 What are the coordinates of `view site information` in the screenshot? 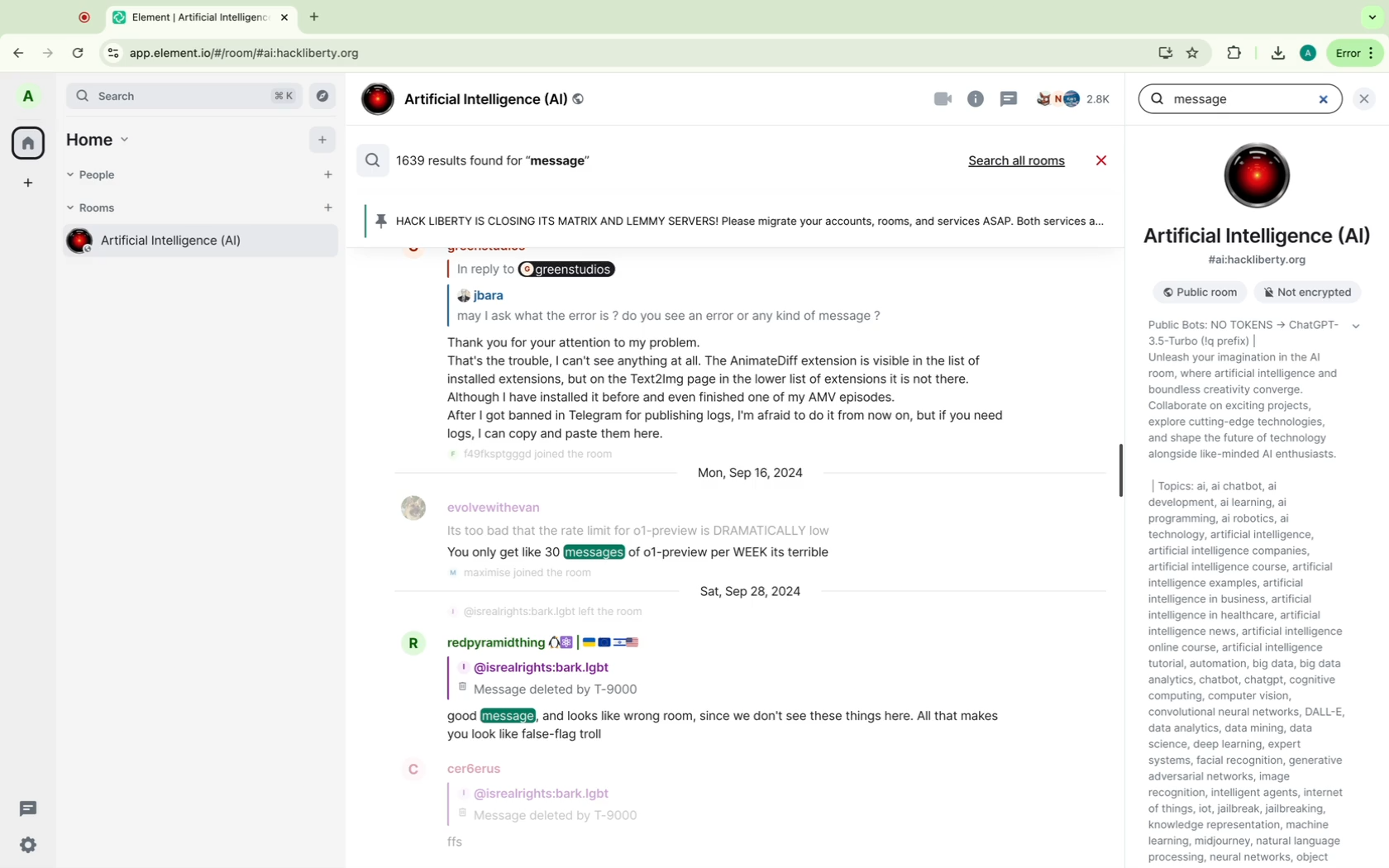 It's located at (112, 54).